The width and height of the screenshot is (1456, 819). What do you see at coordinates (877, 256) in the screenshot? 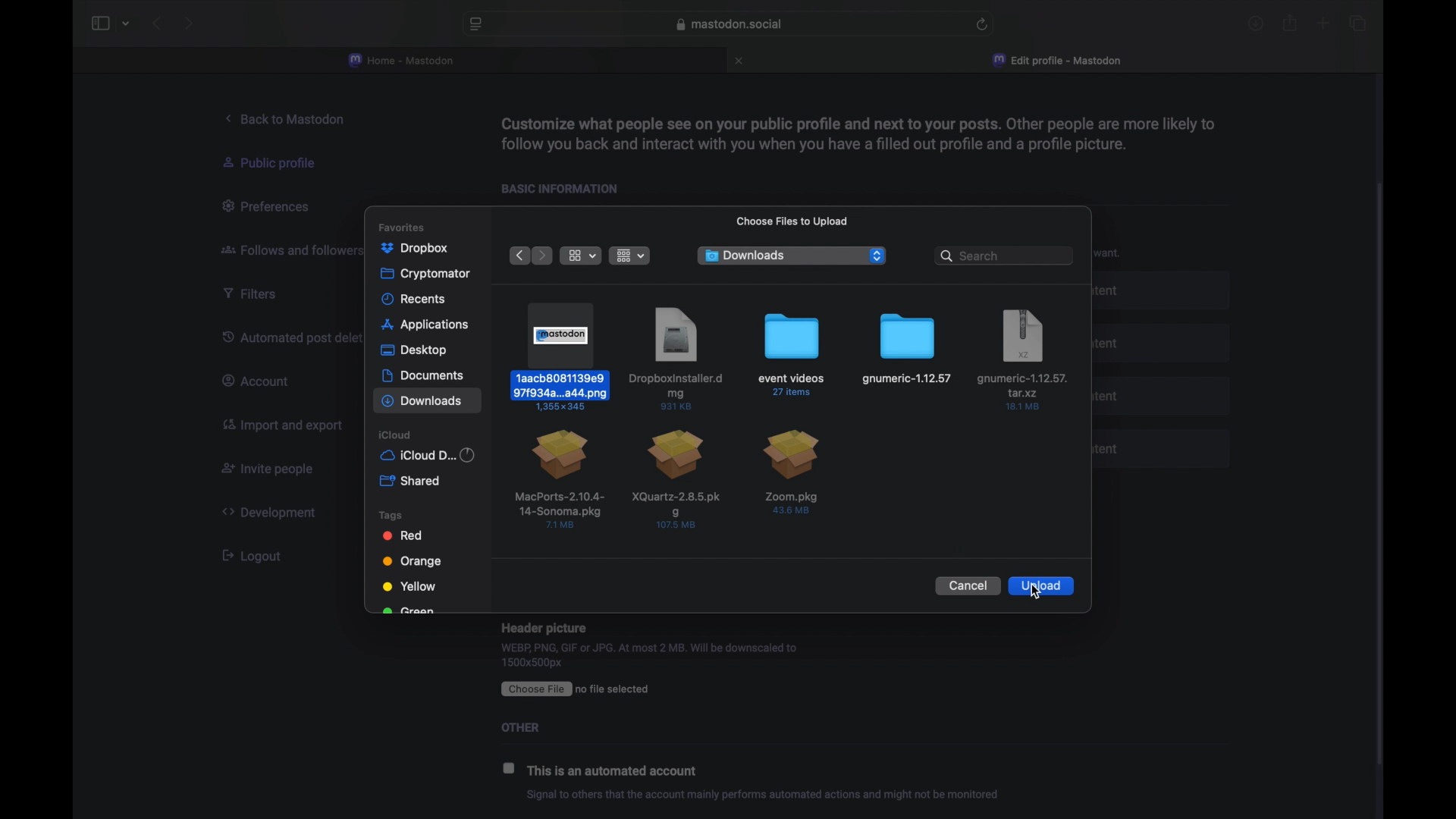
I see `dropdown` at bounding box center [877, 256].